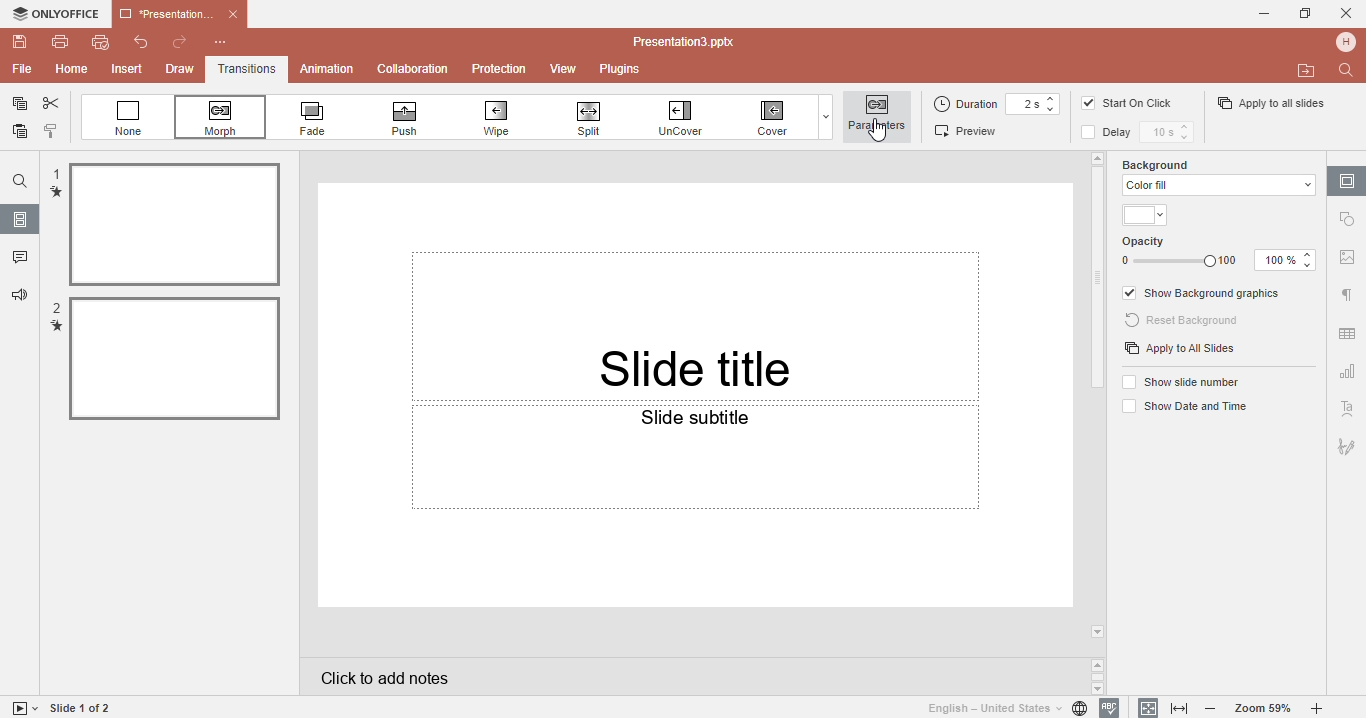 The width and height of the screenshot is (1366, 718). What do you see at coordinates (174, 225) in the screenshot?
I see `selected file 1` at bounding box center [174, 225].